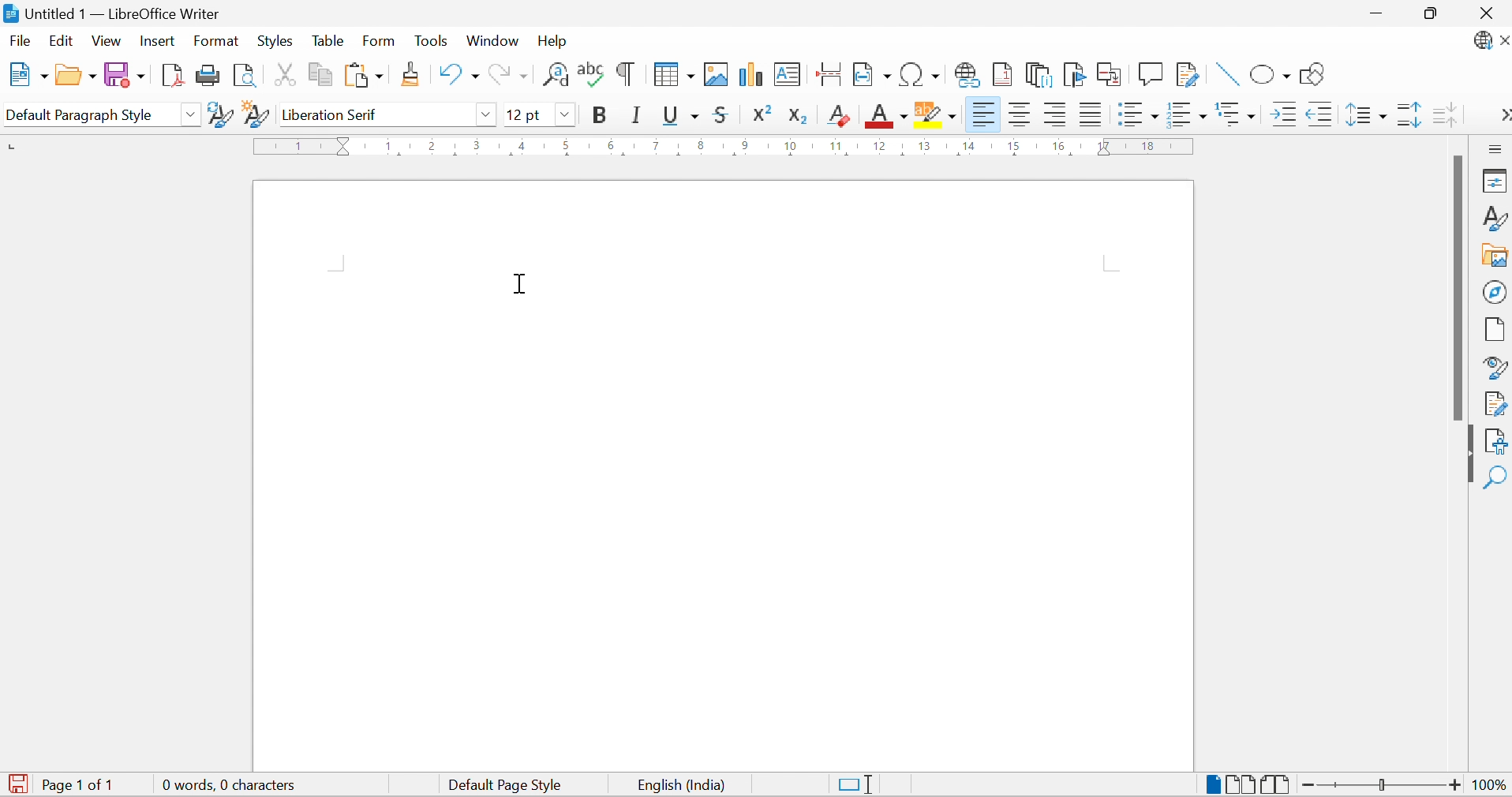 The width and height of the screenshot is (1512, 797). I want to click on Find, so click(1497, 475).